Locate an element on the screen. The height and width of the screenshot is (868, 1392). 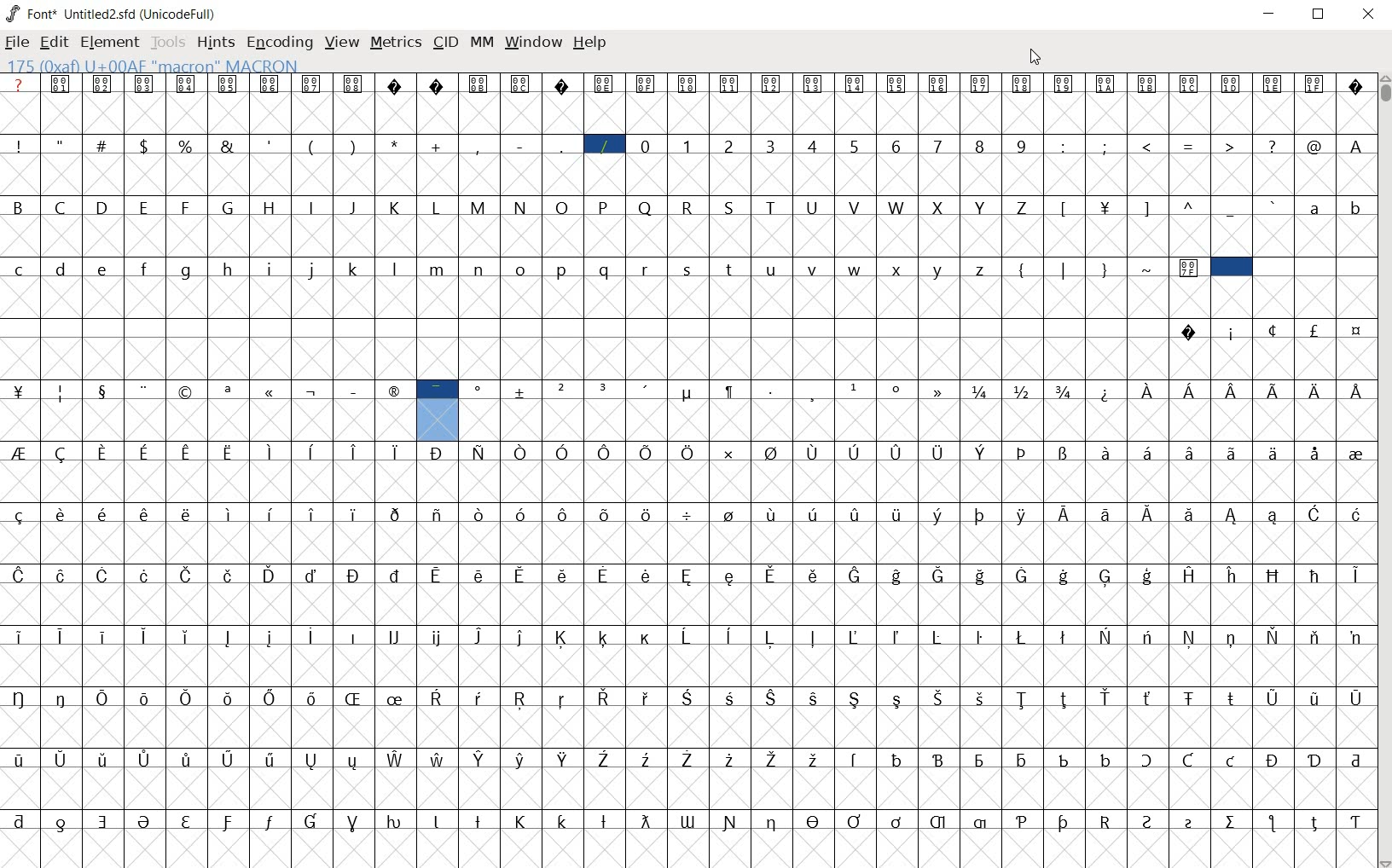
symbols is located at coordinates (684, 105).